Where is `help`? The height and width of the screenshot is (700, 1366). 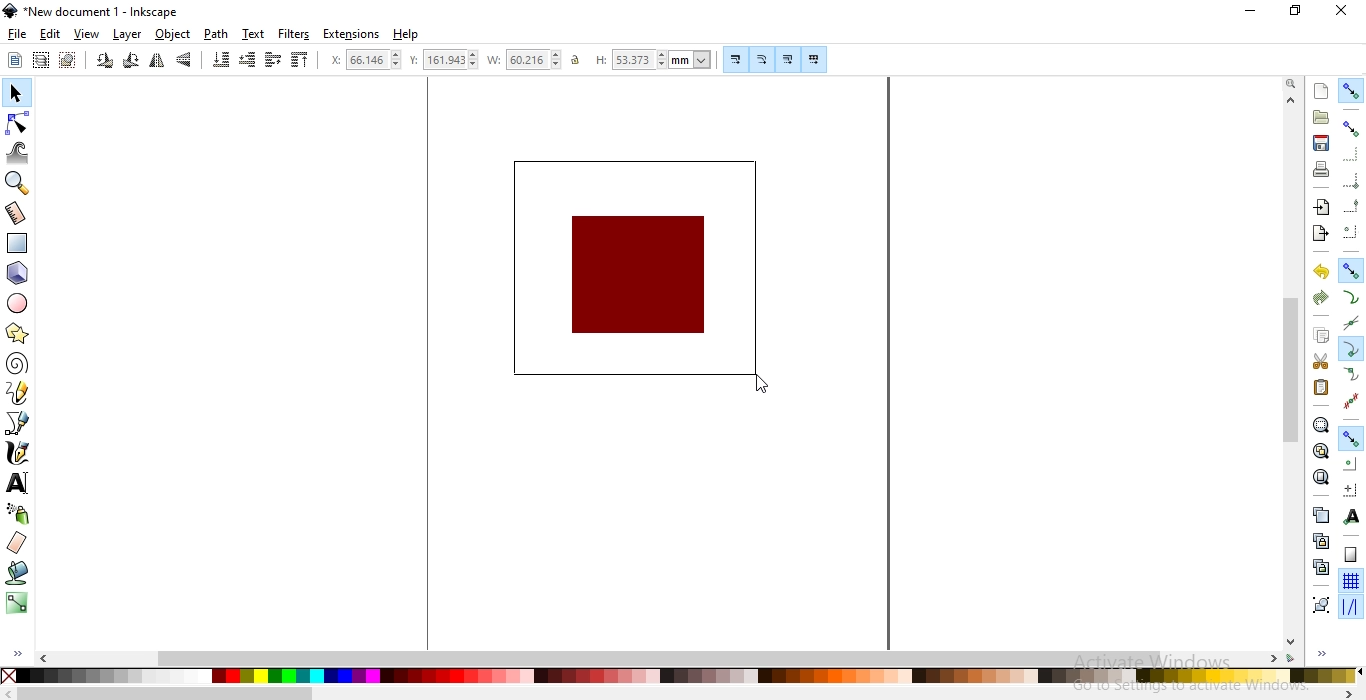
help is located at coordinates (406, 35).